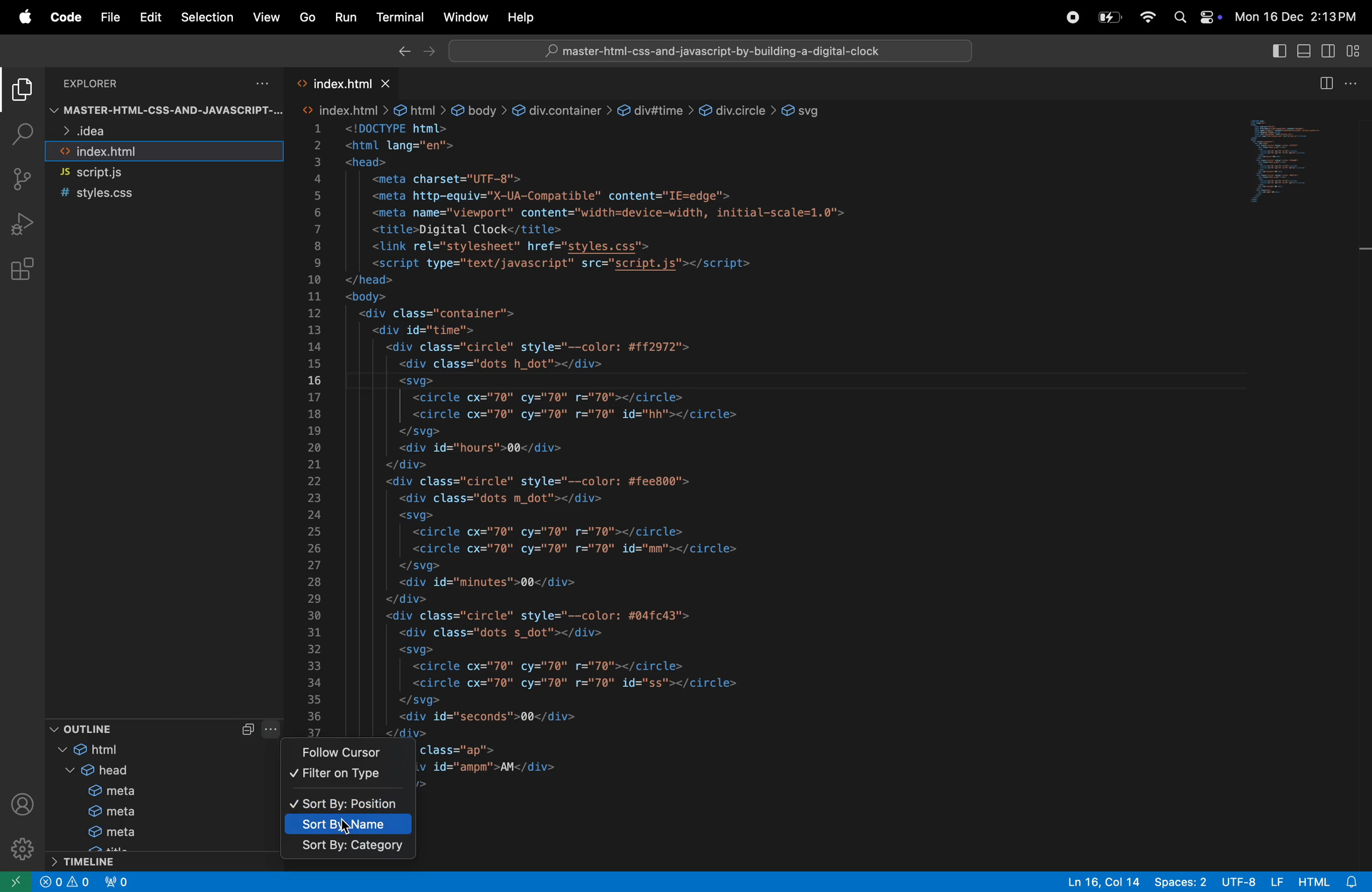  Describe the element at coordinates (1068, 17) in the screenshot. I see `record` at that location.